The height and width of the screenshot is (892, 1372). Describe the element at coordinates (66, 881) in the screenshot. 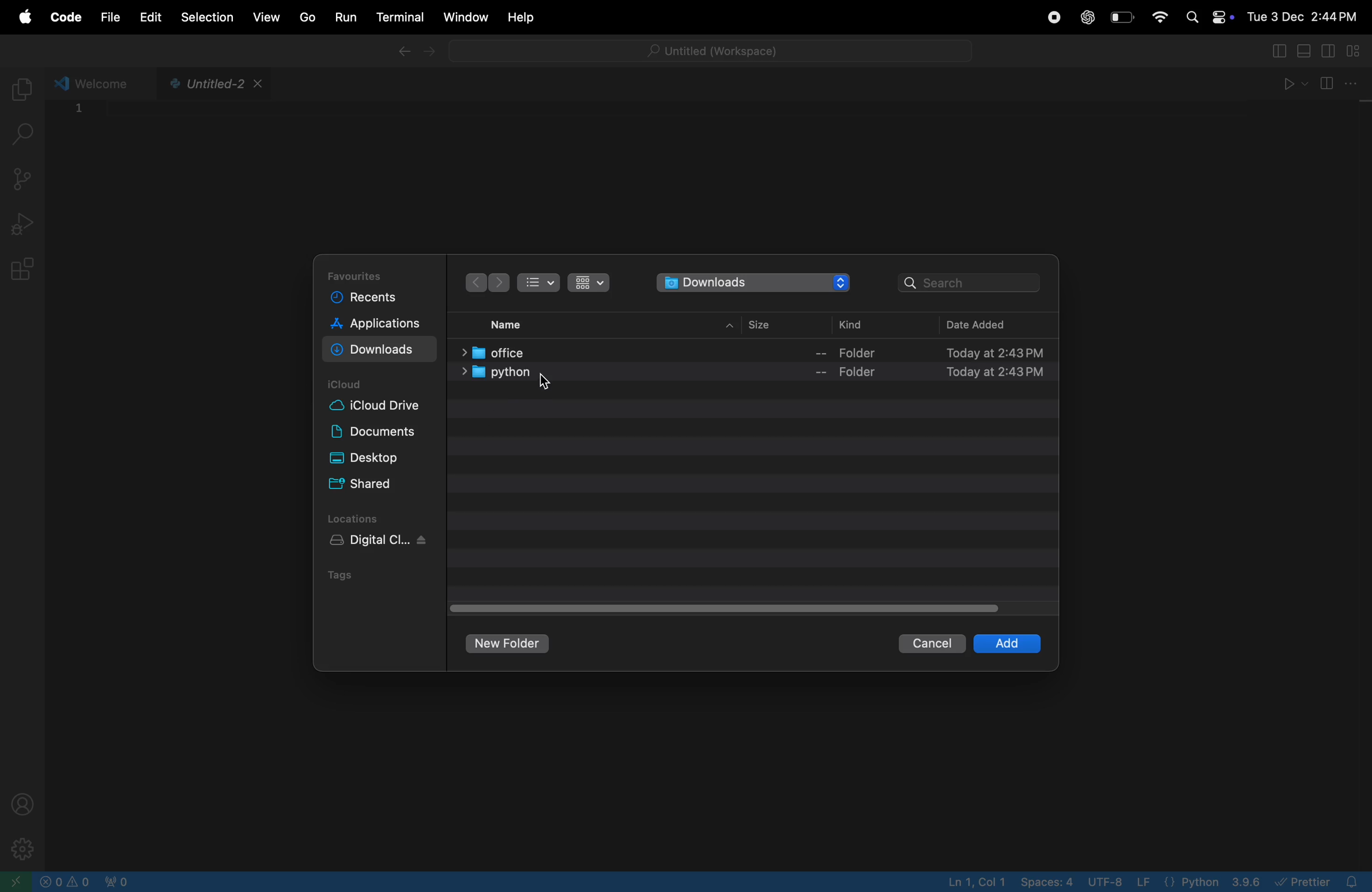

I see `no problems` at that location.